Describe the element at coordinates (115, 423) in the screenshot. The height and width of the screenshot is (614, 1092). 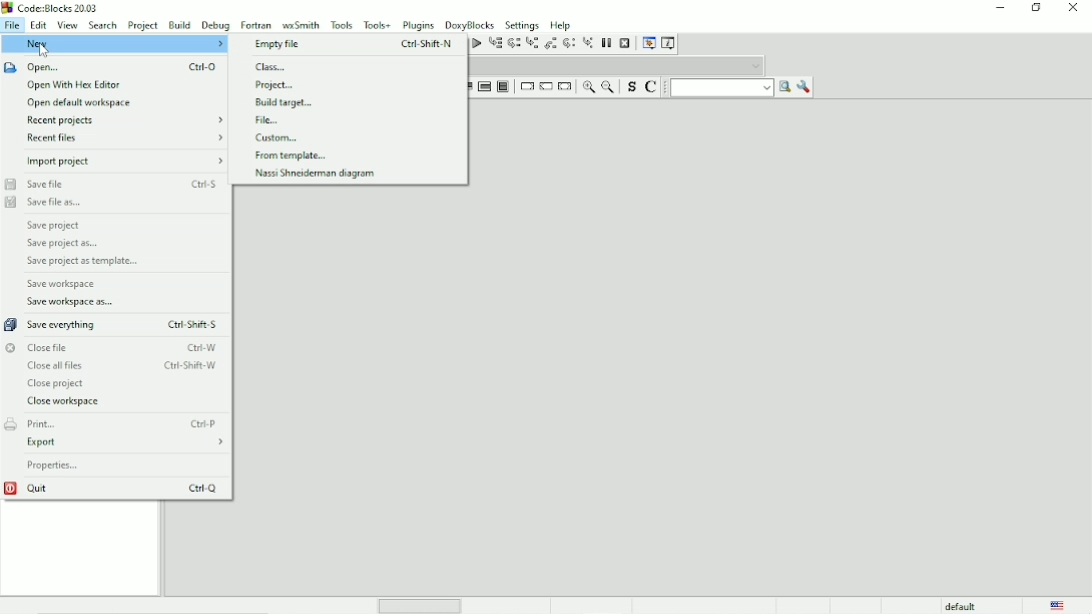
I see `Print` at that location.